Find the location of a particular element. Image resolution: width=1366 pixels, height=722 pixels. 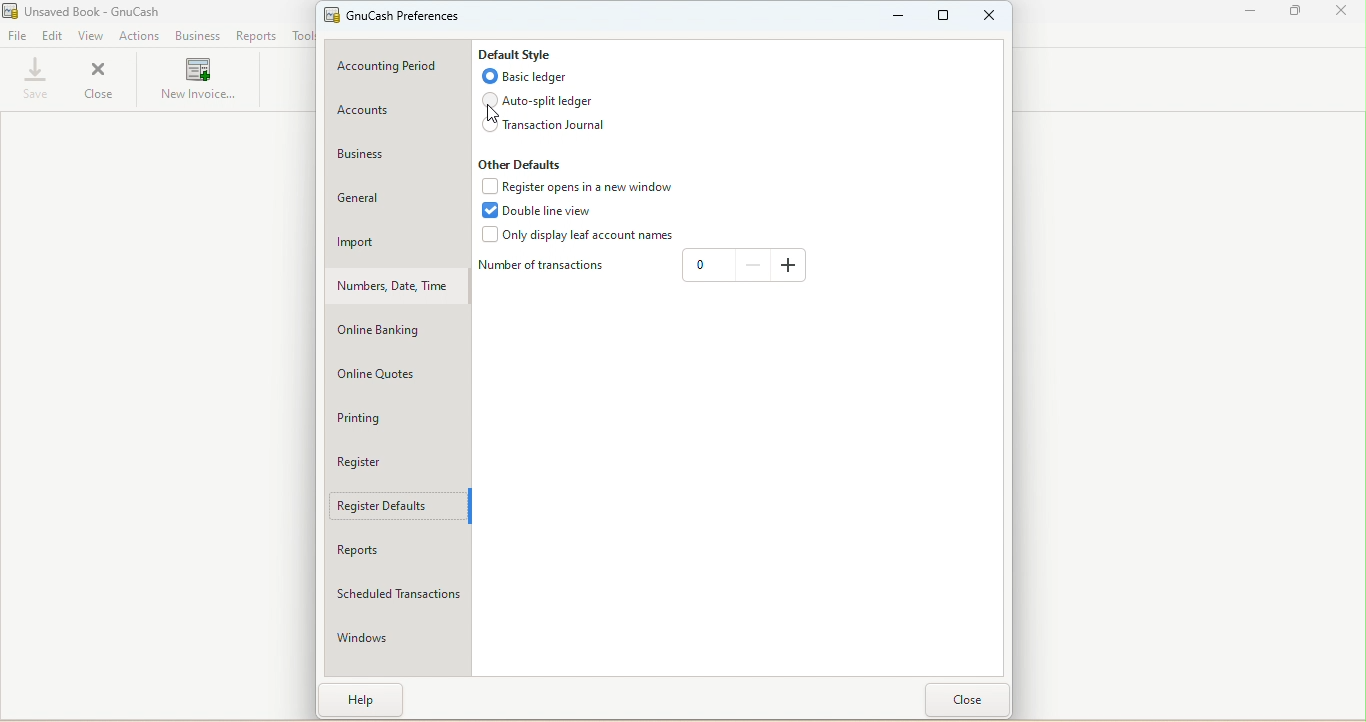

New invoices is located at coordinates (197, 82).